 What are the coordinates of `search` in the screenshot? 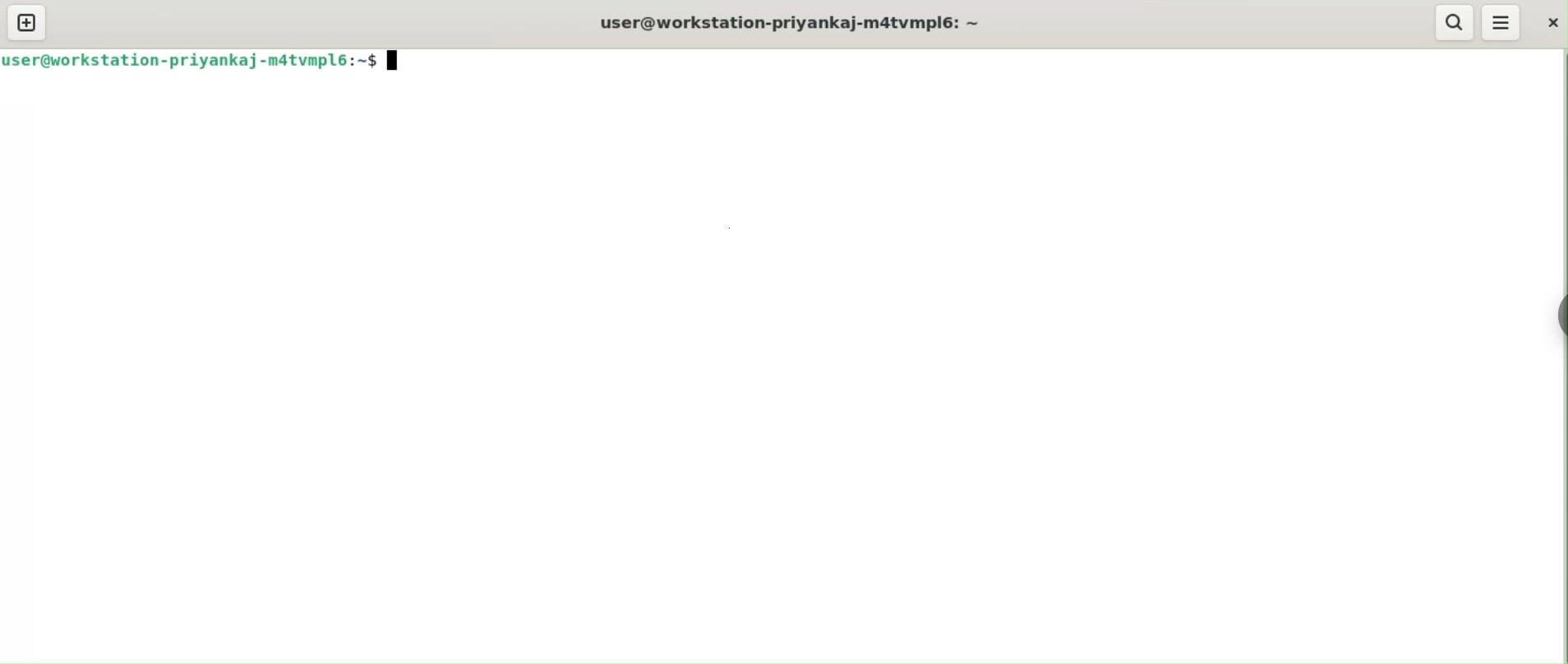 It's located at (1453, 23).